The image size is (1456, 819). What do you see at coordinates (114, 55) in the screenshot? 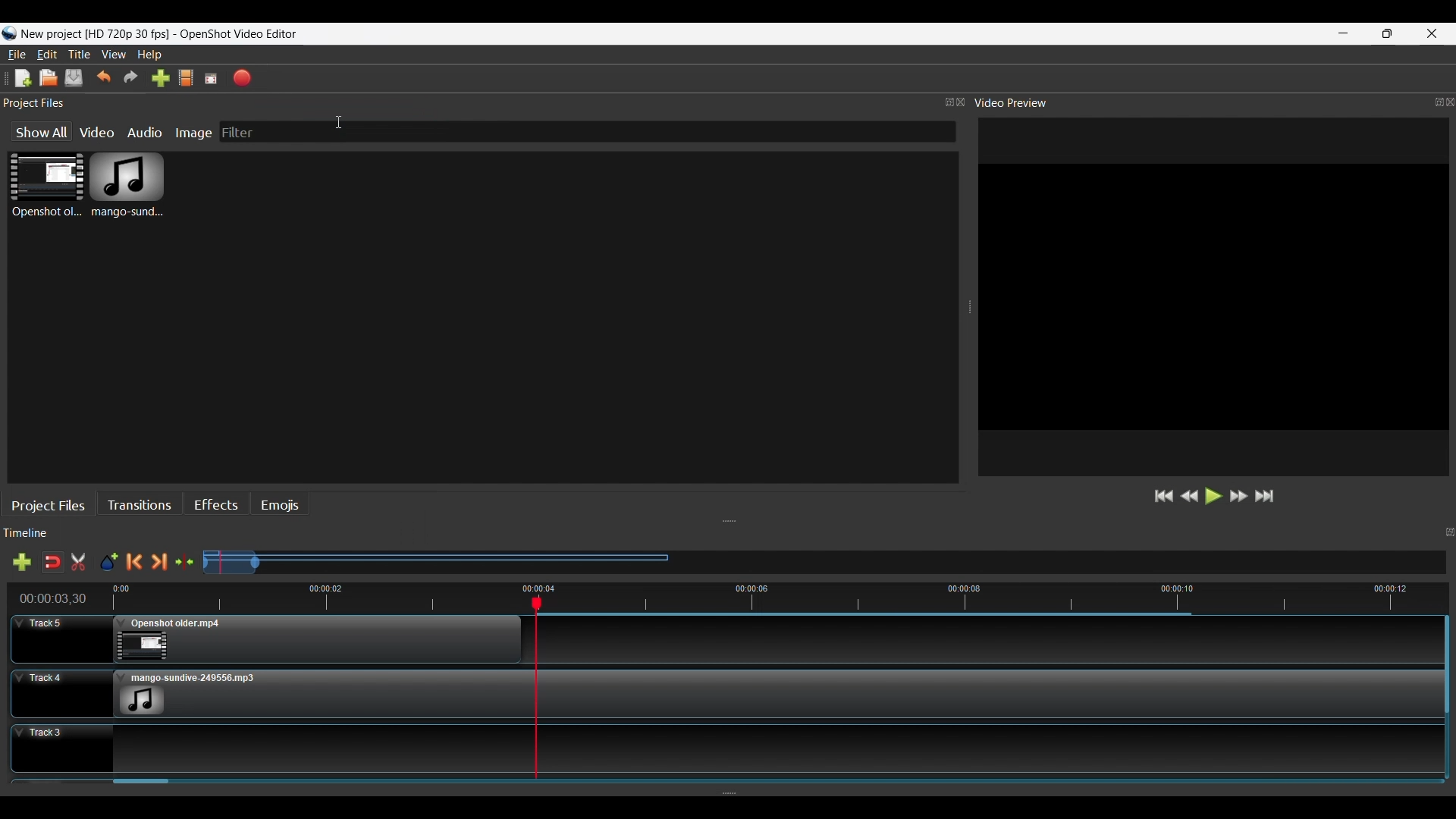
I see `View` at bounding box center [114, 55].